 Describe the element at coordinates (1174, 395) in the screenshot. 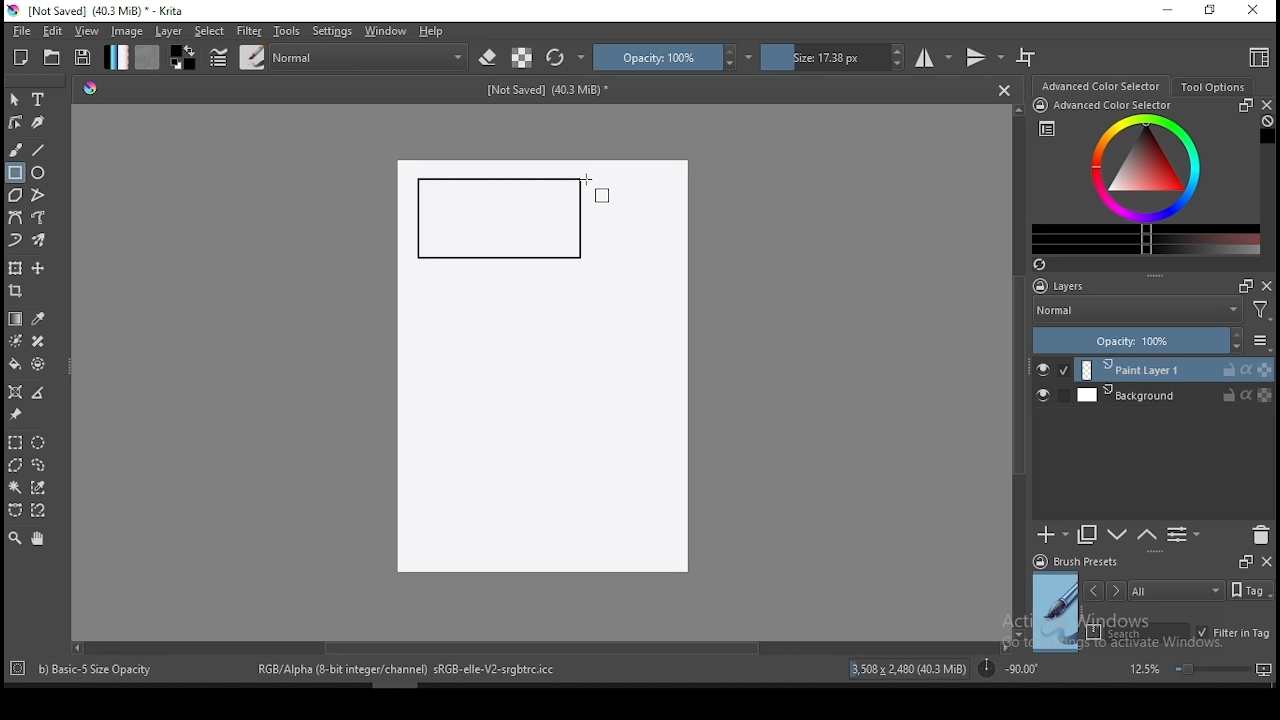

I see `layer` at that location.